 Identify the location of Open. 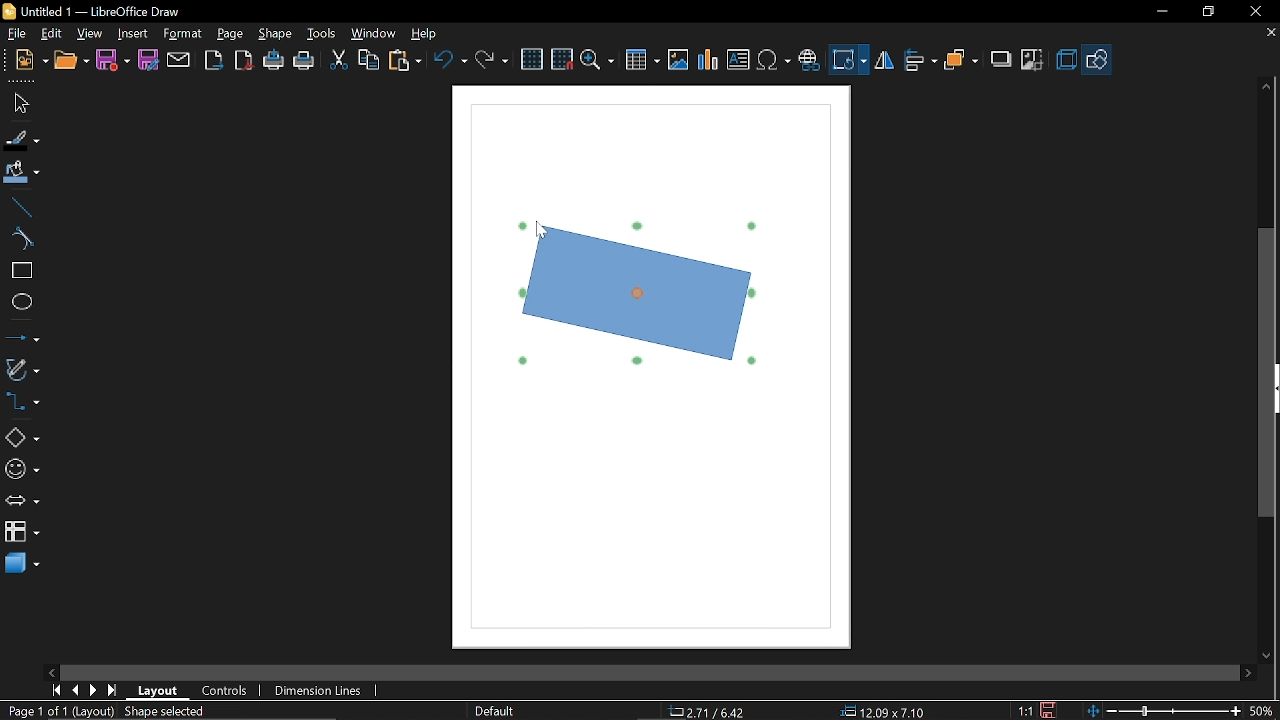
(71, 61).